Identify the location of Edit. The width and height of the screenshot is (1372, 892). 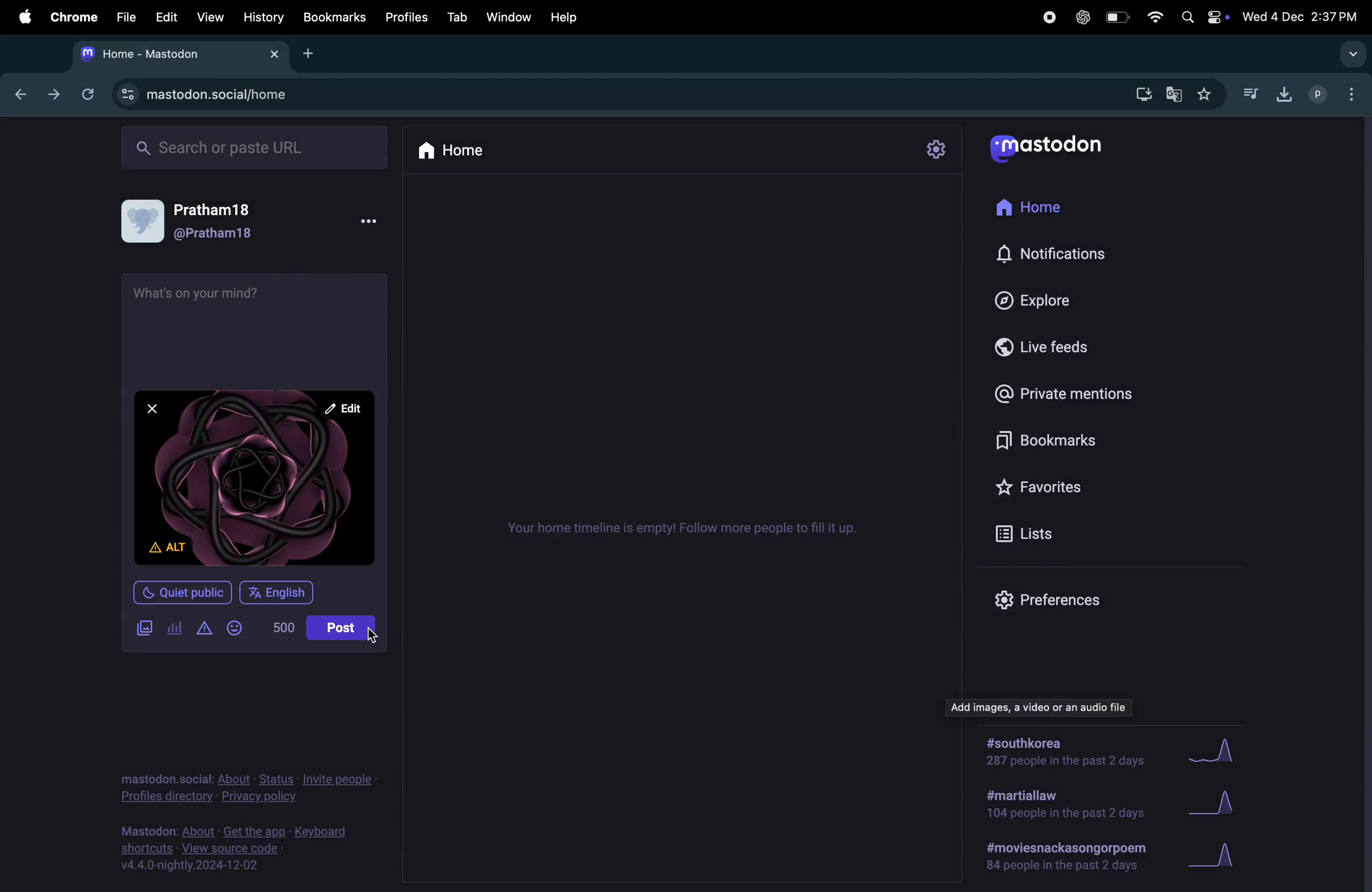
(163, 16).